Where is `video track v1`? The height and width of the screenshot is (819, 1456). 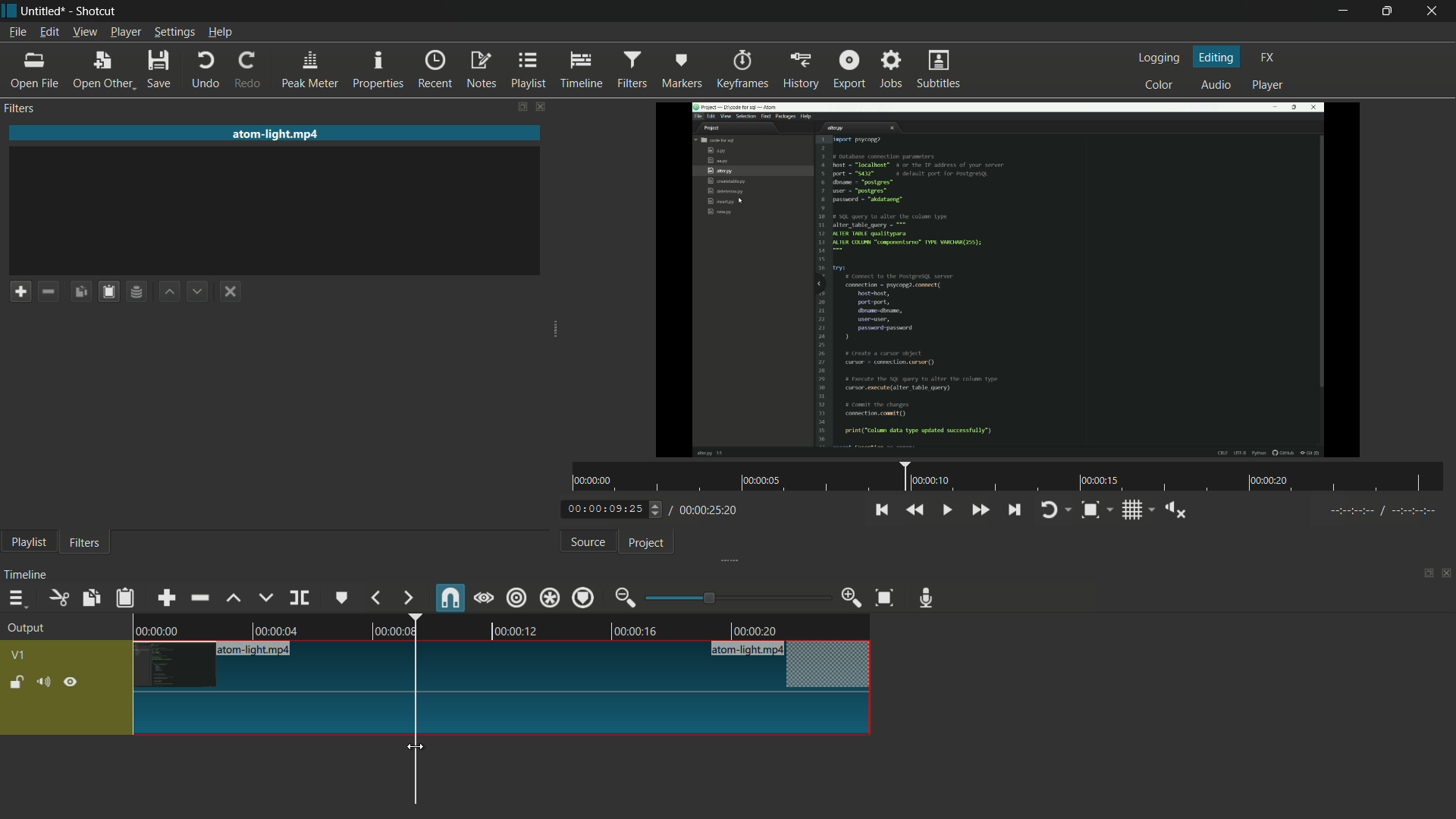
video track v1 is located at coordinates (504, 715).